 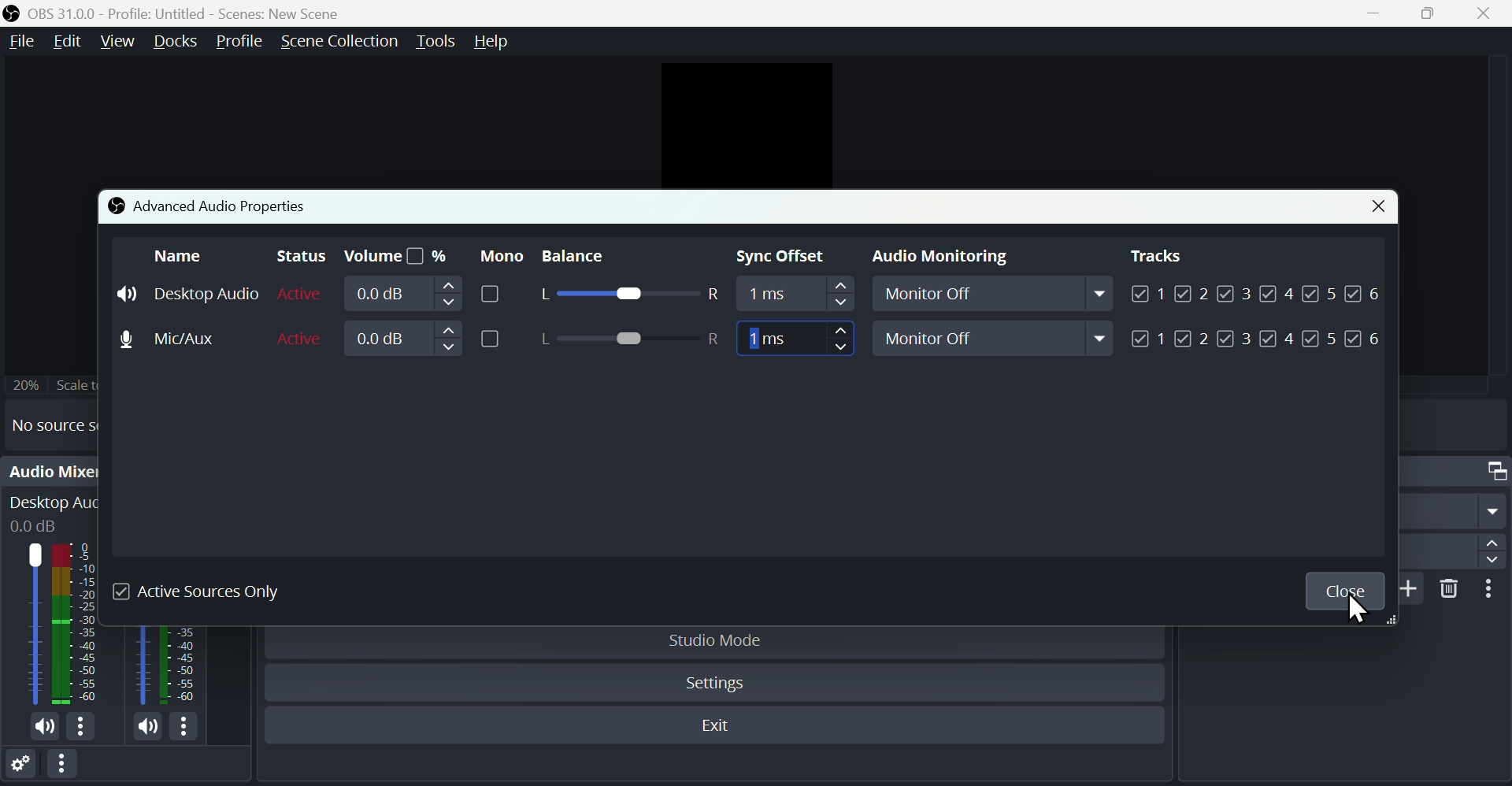 I want to click on Mike/Aux, so click(x=183, y=337).